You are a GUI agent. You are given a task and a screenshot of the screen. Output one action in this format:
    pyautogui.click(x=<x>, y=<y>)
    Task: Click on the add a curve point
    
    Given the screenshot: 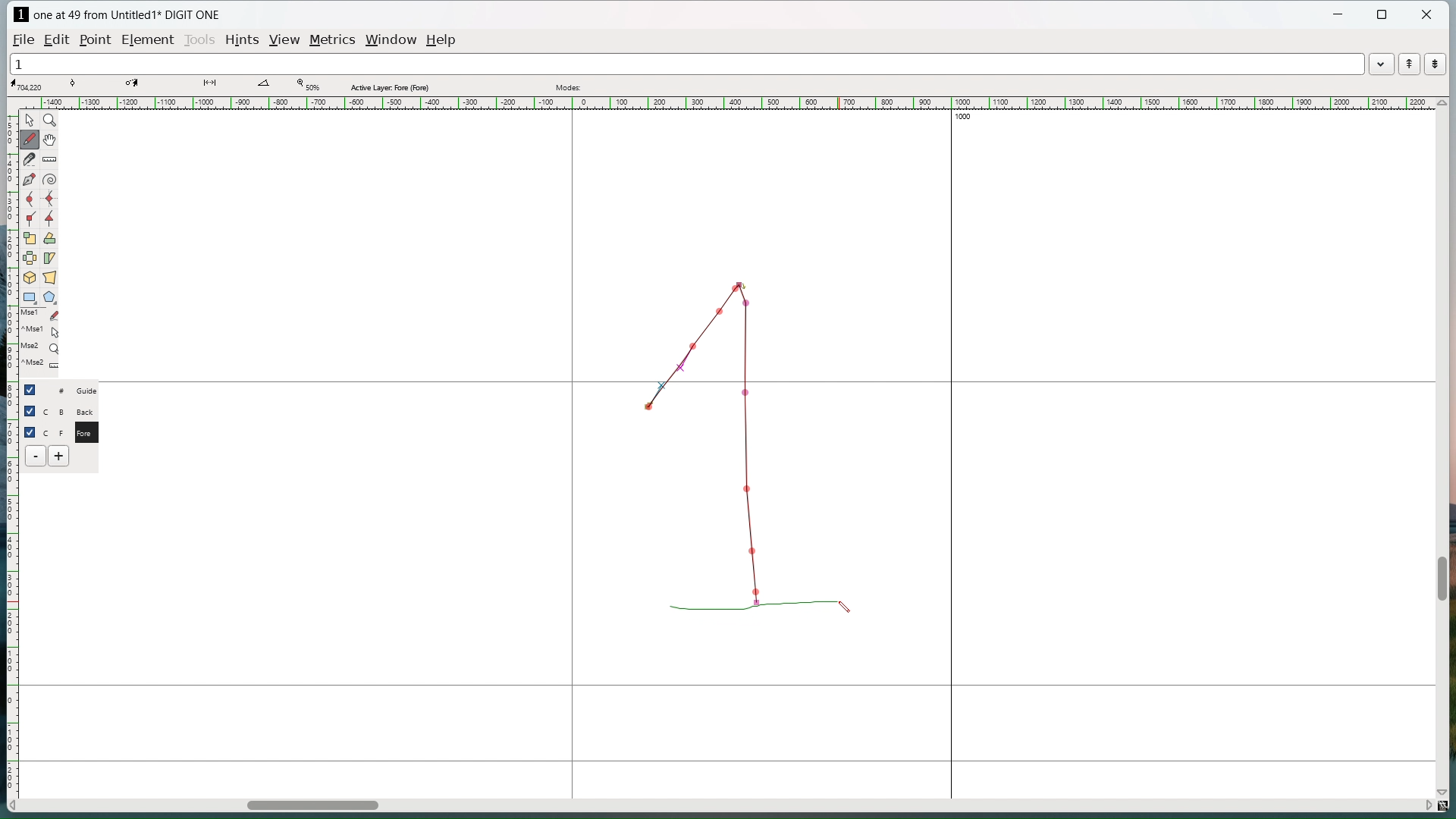 What is the action you would take?
    pyautogui.click(x=30, y=199)
    